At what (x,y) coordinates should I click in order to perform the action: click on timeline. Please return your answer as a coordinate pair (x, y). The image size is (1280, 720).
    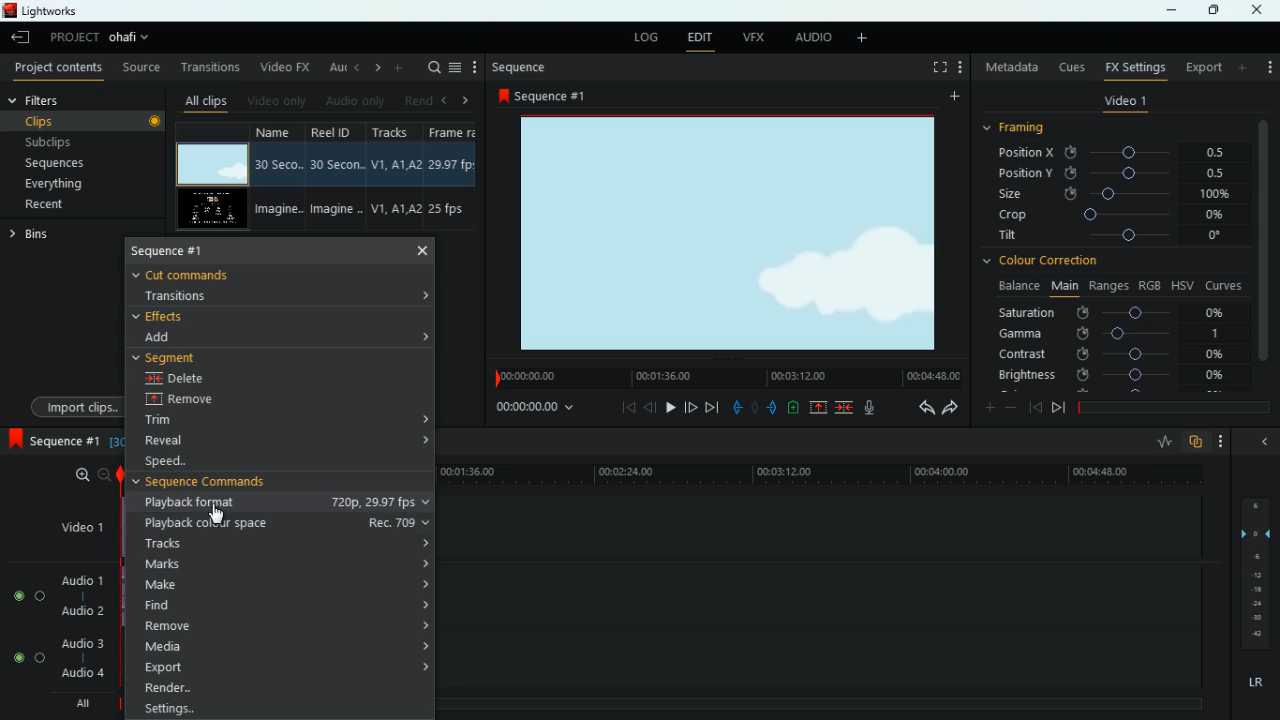
    Looking at the image, I should click on (1171, 407).